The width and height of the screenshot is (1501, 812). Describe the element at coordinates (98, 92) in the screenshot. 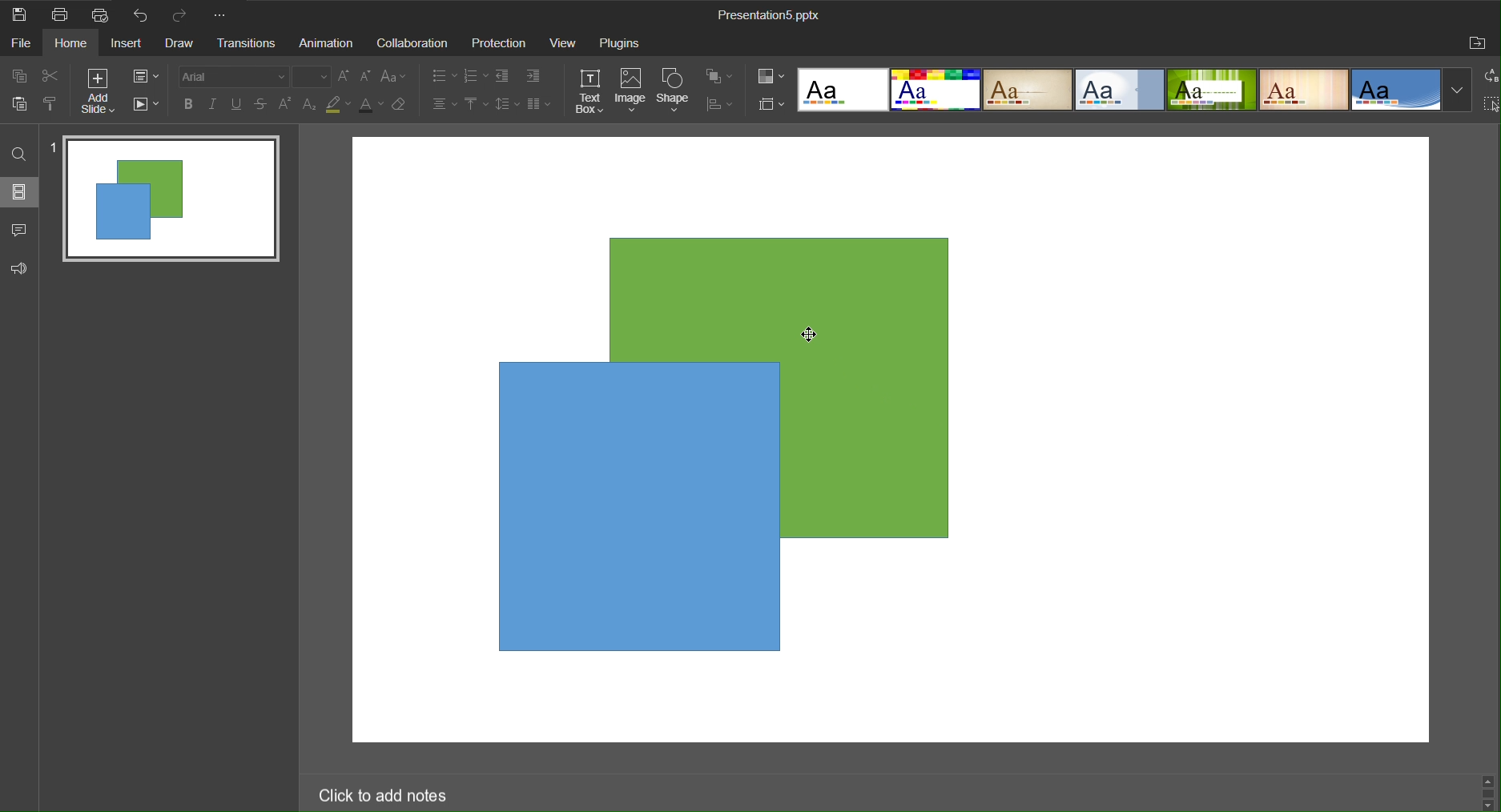

I see `Add Slide` at that location.